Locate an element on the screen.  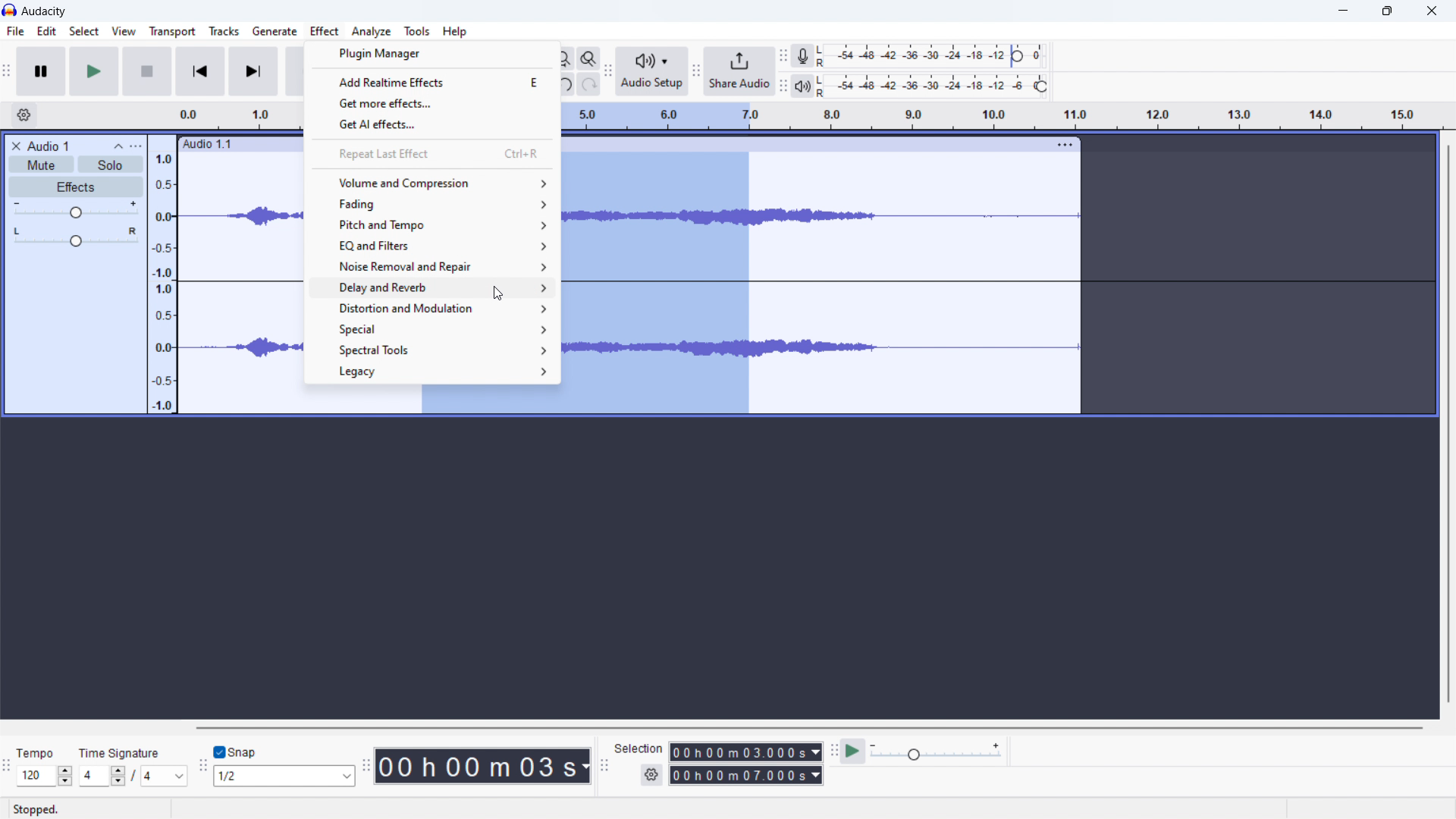
fading is located at coordinates (429, 206).